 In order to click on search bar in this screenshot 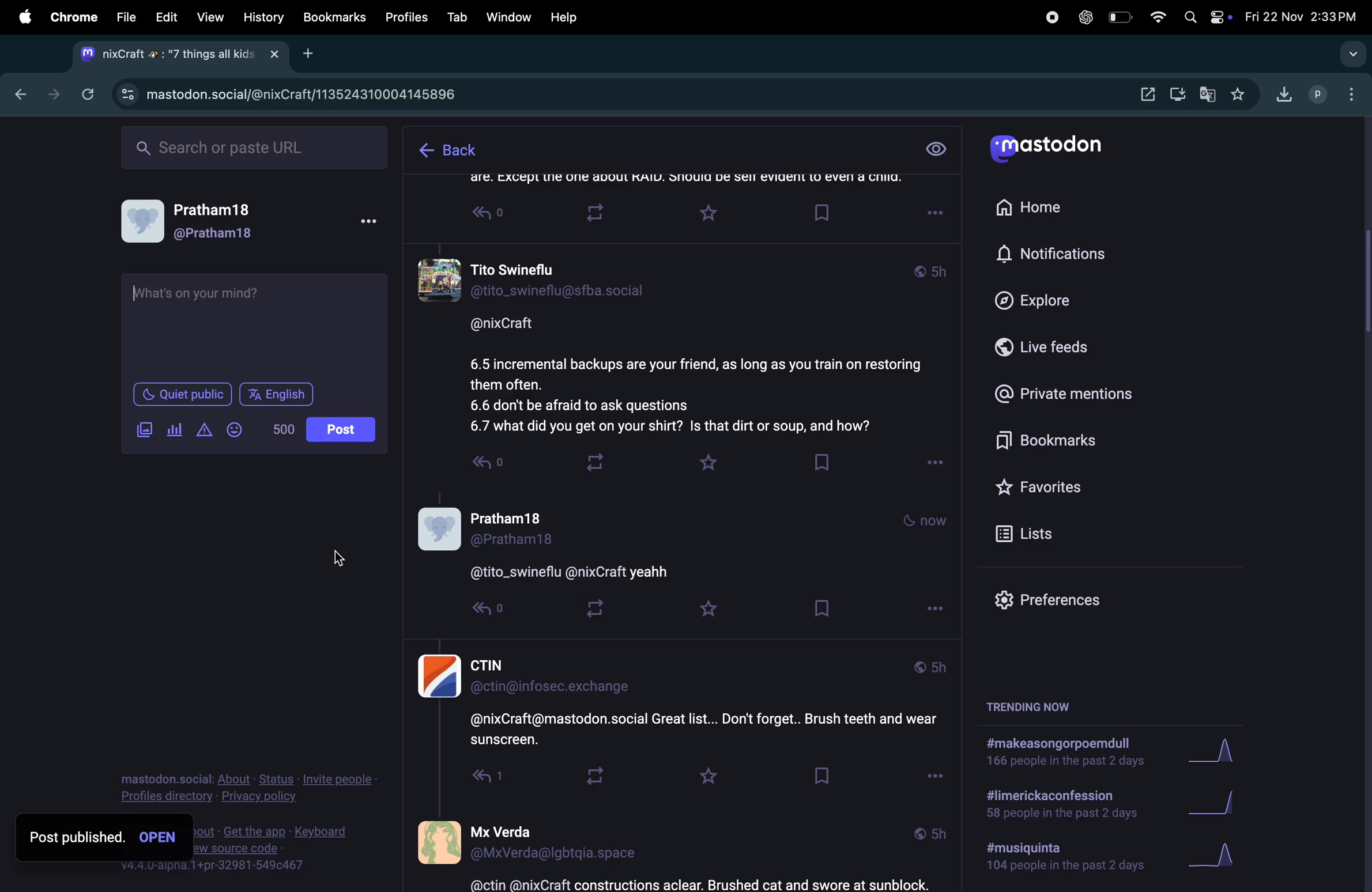, I will do `click(1352, 54)`.